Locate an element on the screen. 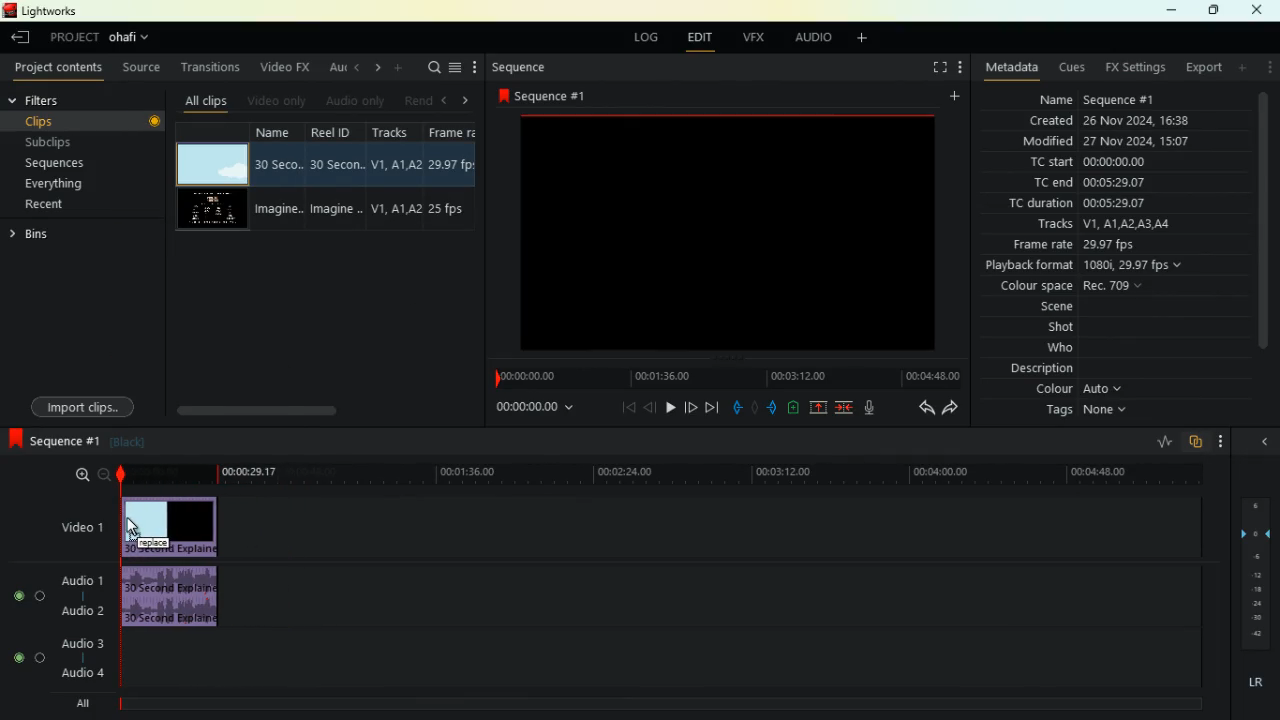  imagine.. is located at coordinates (336, 210).